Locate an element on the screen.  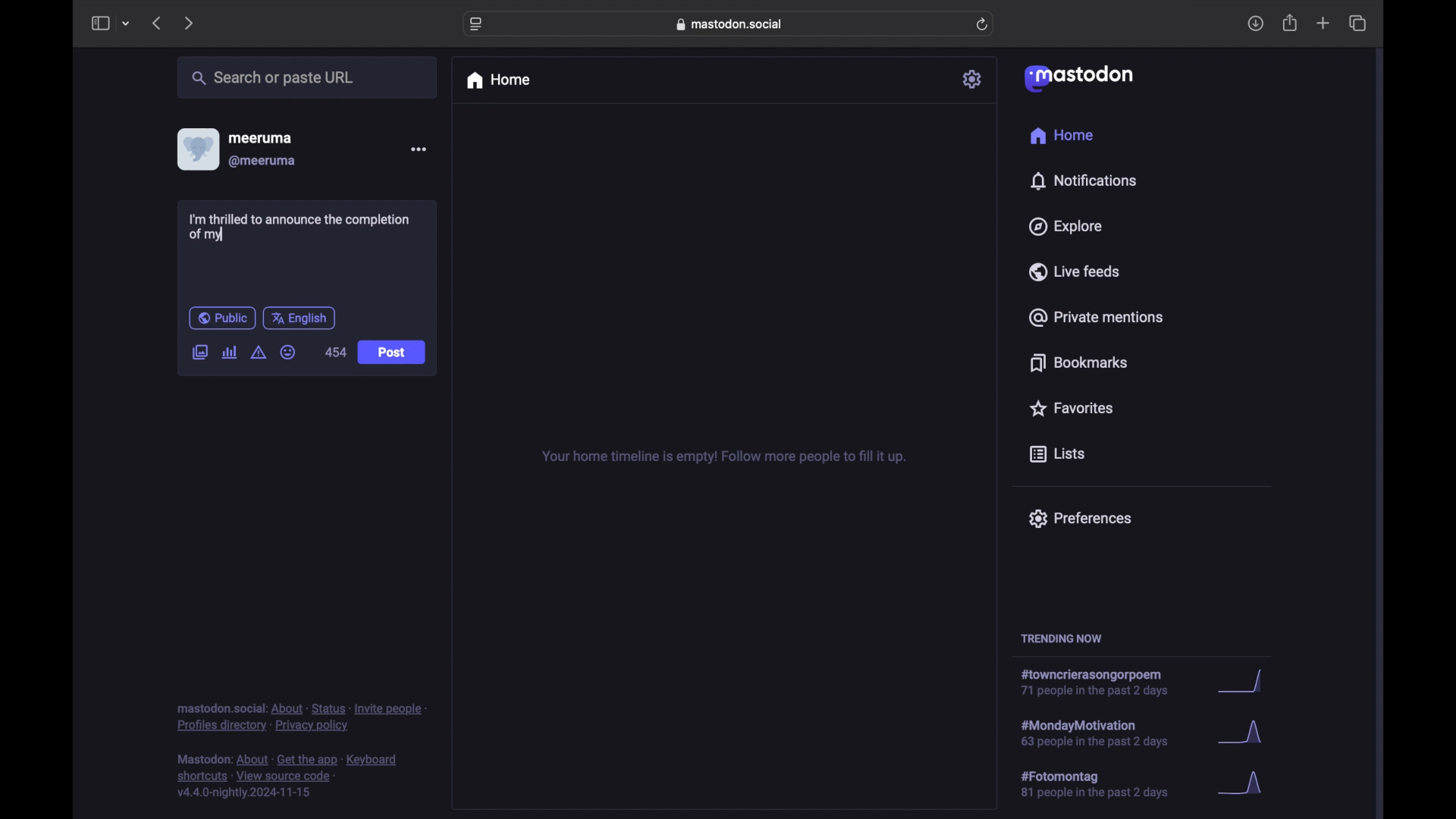
display picture is located at coordinates (196, 149).